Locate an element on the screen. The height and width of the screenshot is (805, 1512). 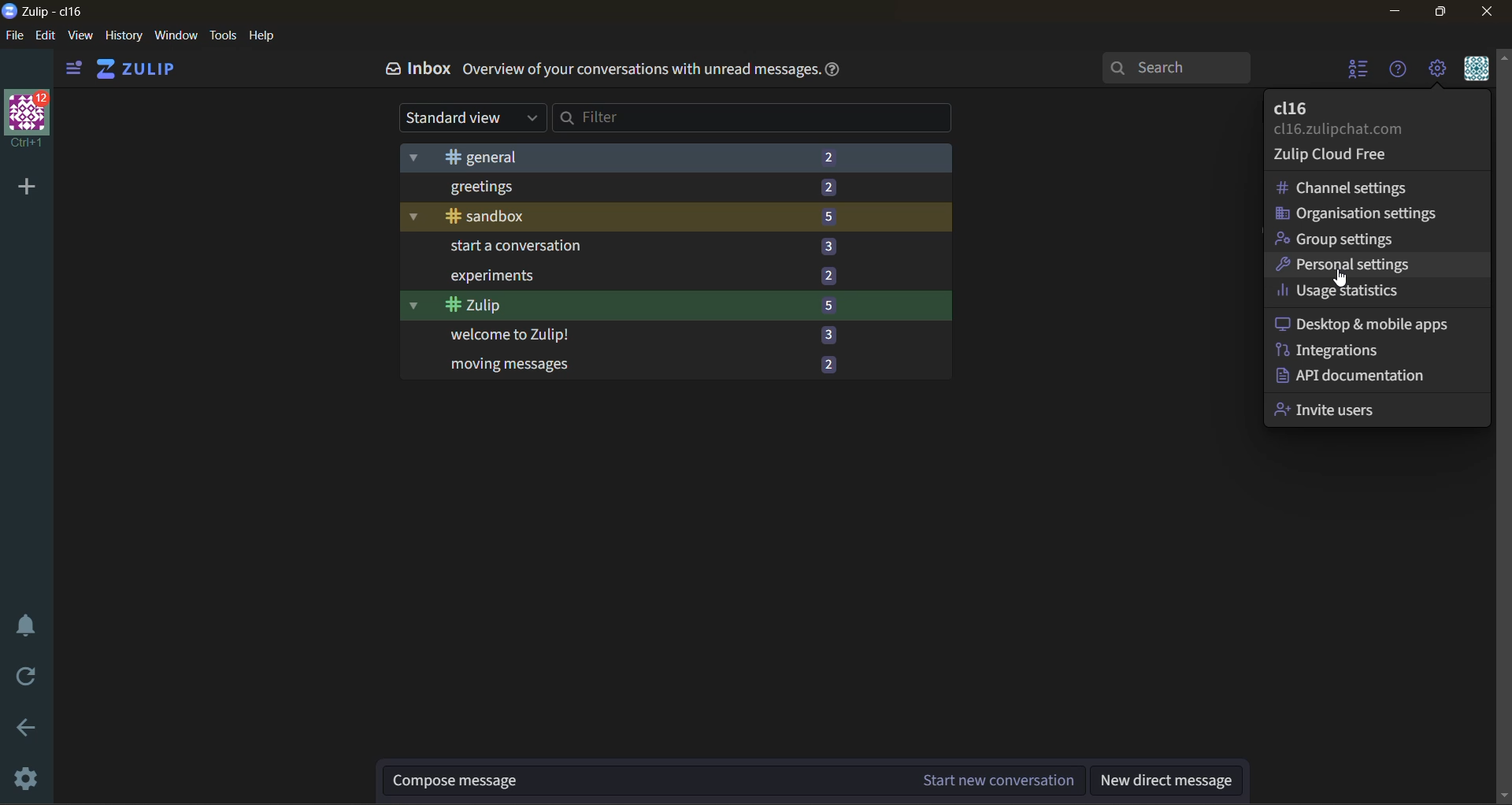
edit is located at coordinates (45, 36).